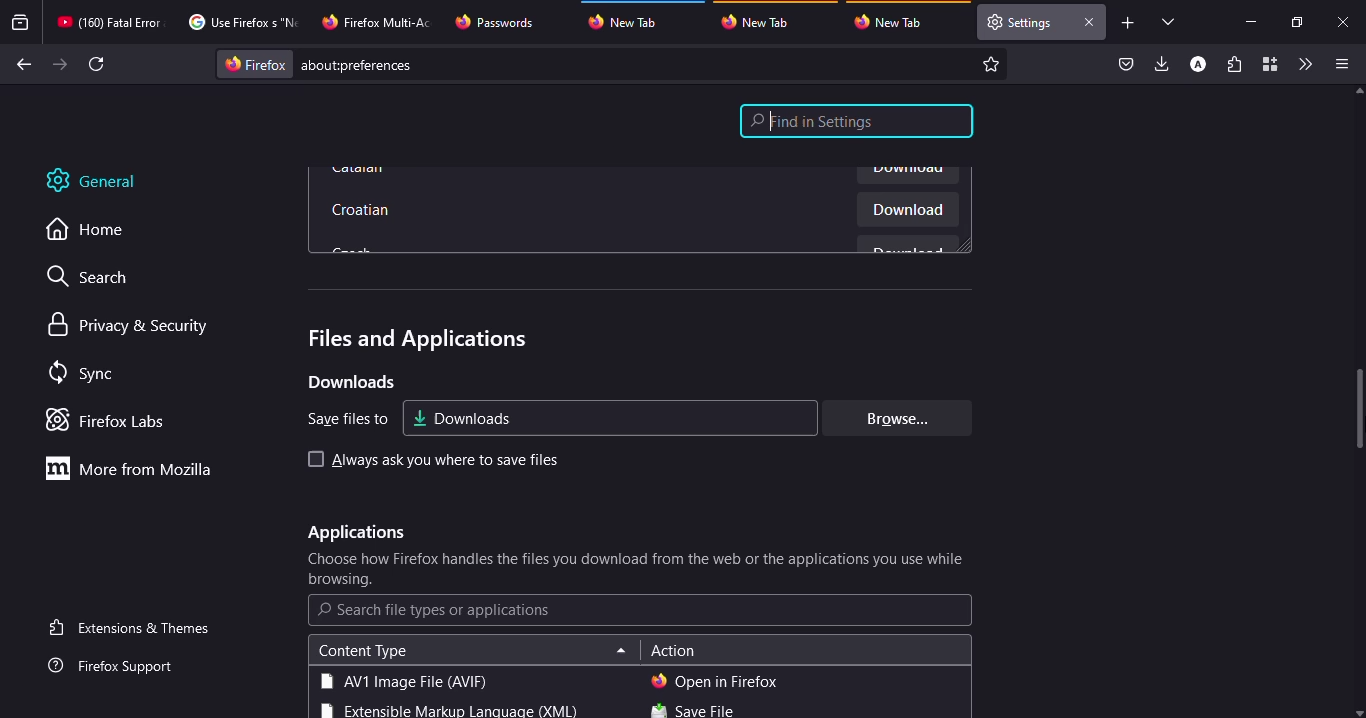 This screenshot has height=718, width=1366. I want to click on downloads, so click(350, 382).